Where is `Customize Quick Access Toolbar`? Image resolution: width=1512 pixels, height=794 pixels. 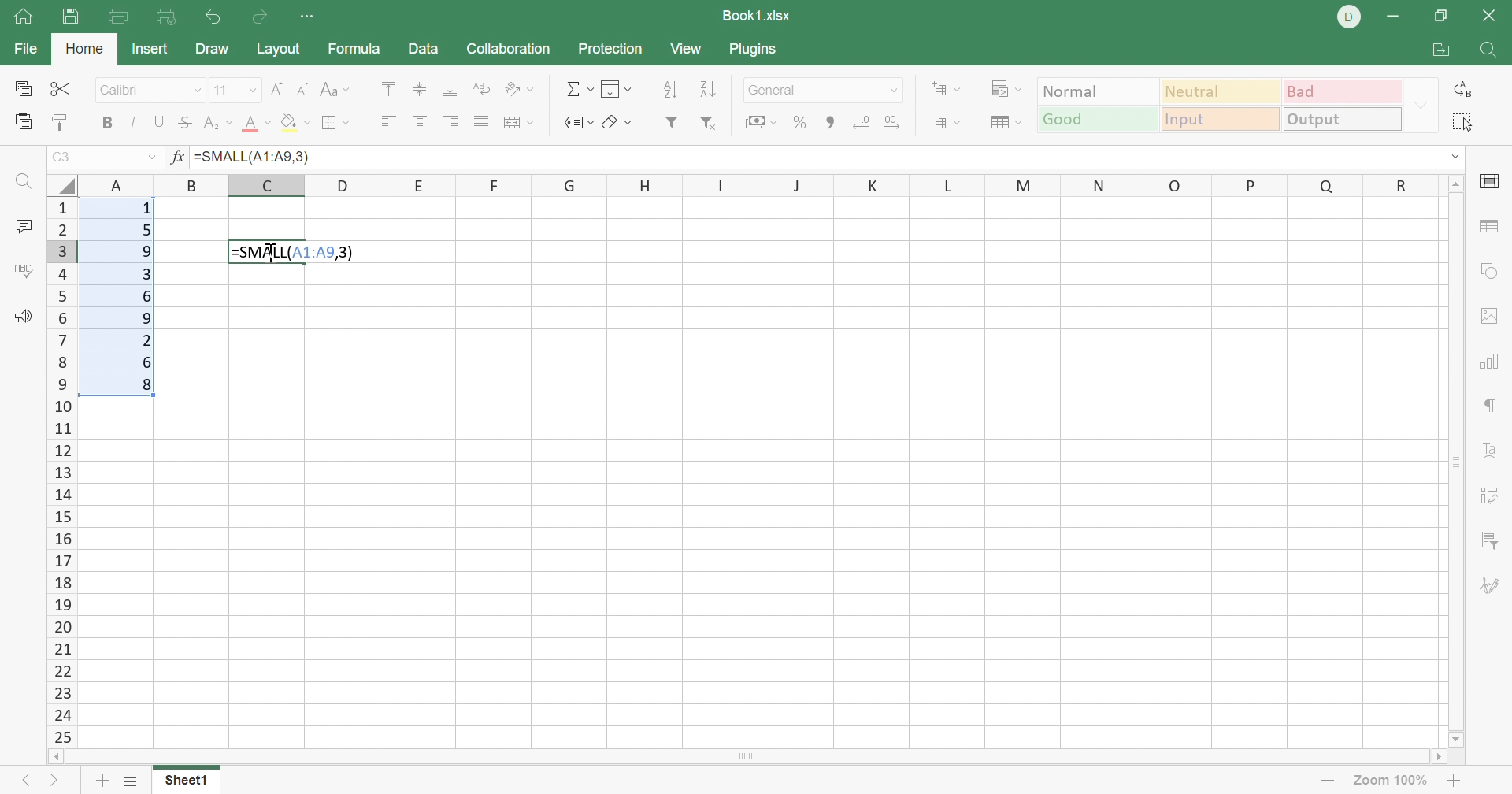 Customize Quick Access Toolbar is located at coordinates (311, 18).